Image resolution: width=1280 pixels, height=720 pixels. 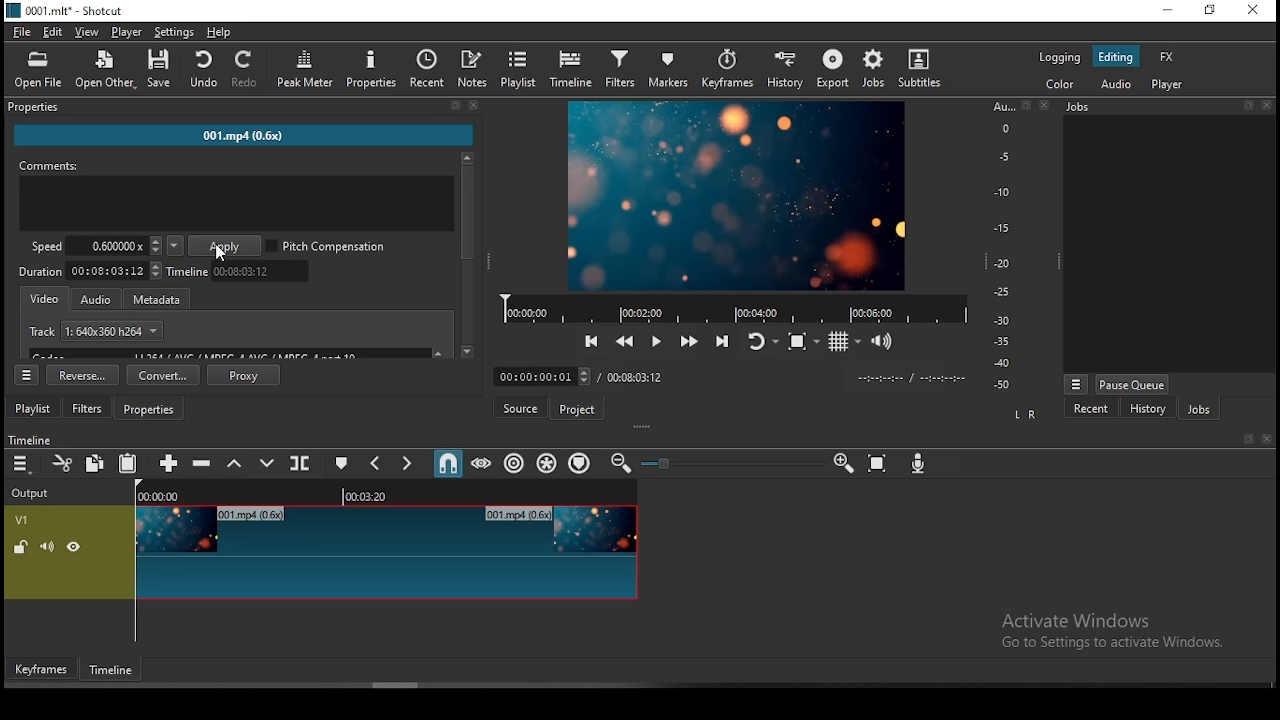 What do you see at coordinates (248, 69) in the screenshot?
I see `redo` at bounding box center [248, 69].